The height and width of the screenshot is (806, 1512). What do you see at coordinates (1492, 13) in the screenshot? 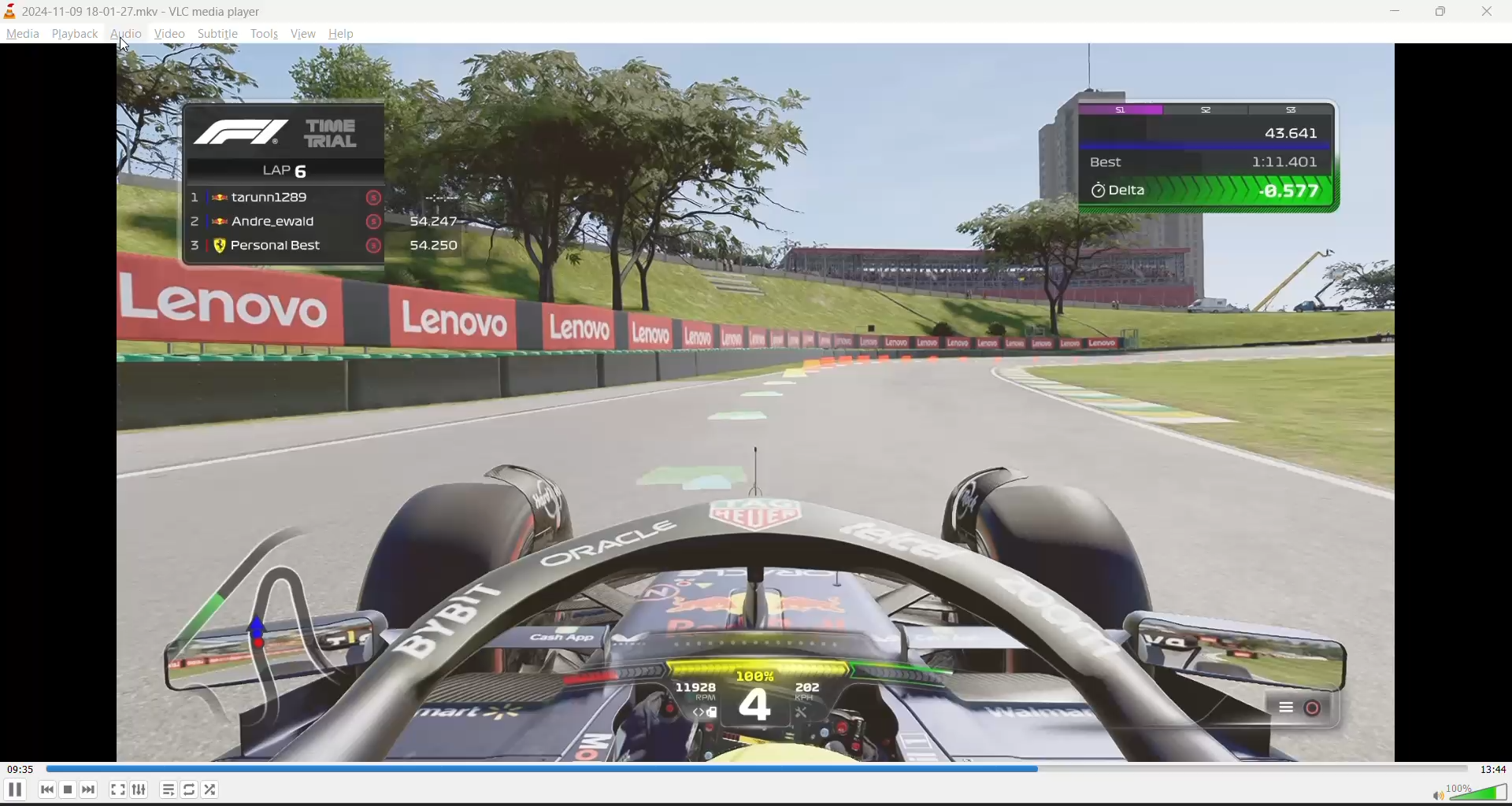
I see `close` at bounding box center [1492, 13].